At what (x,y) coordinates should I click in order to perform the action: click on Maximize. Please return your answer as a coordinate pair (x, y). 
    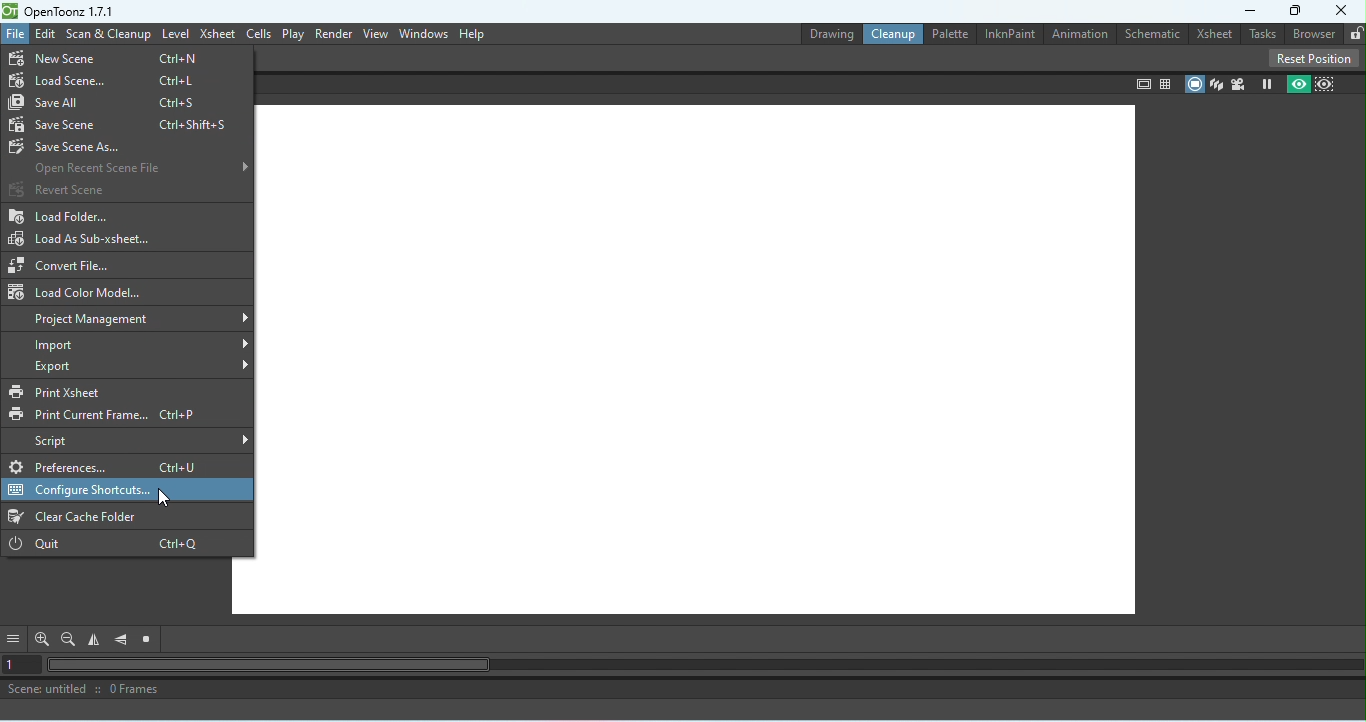
    Looking at the image, I should click on (1297, 10).